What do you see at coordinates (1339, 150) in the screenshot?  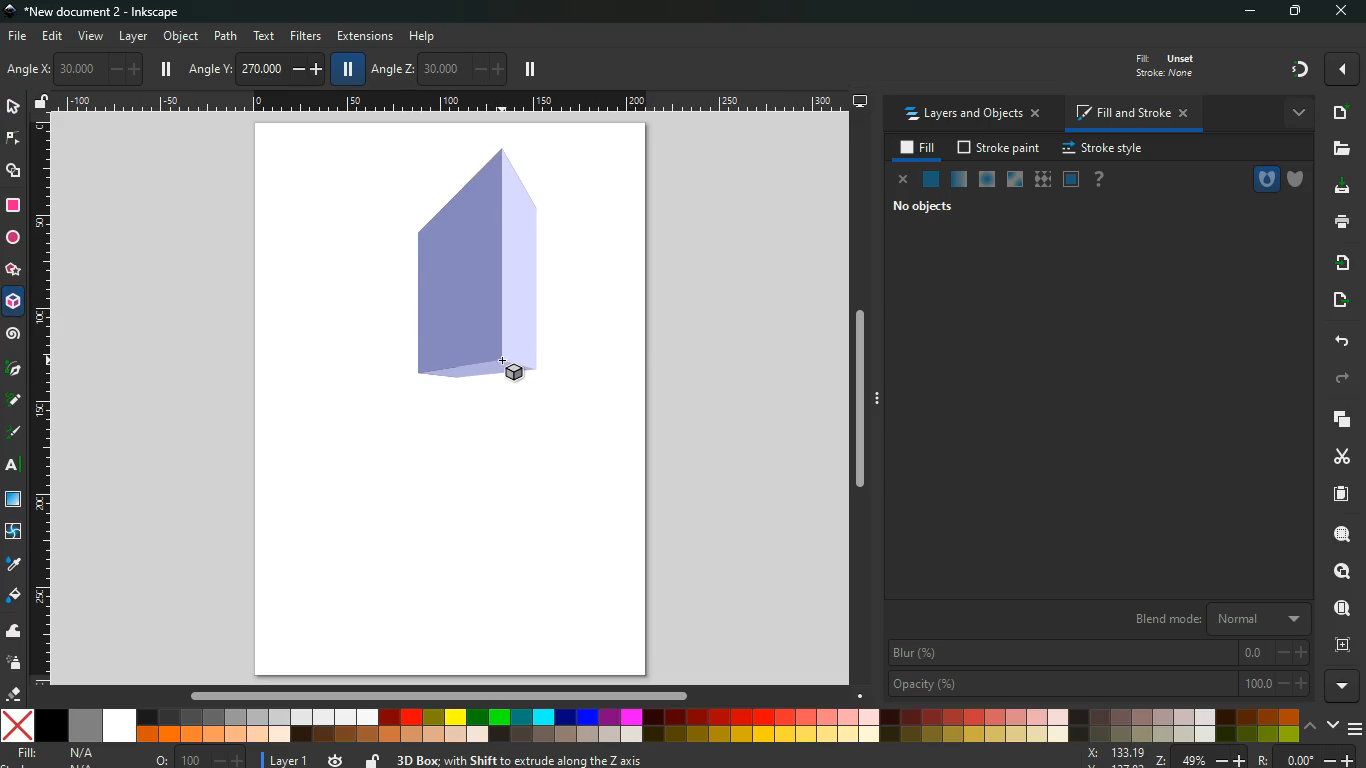 I see `files` at bounding box center [1339, 150].